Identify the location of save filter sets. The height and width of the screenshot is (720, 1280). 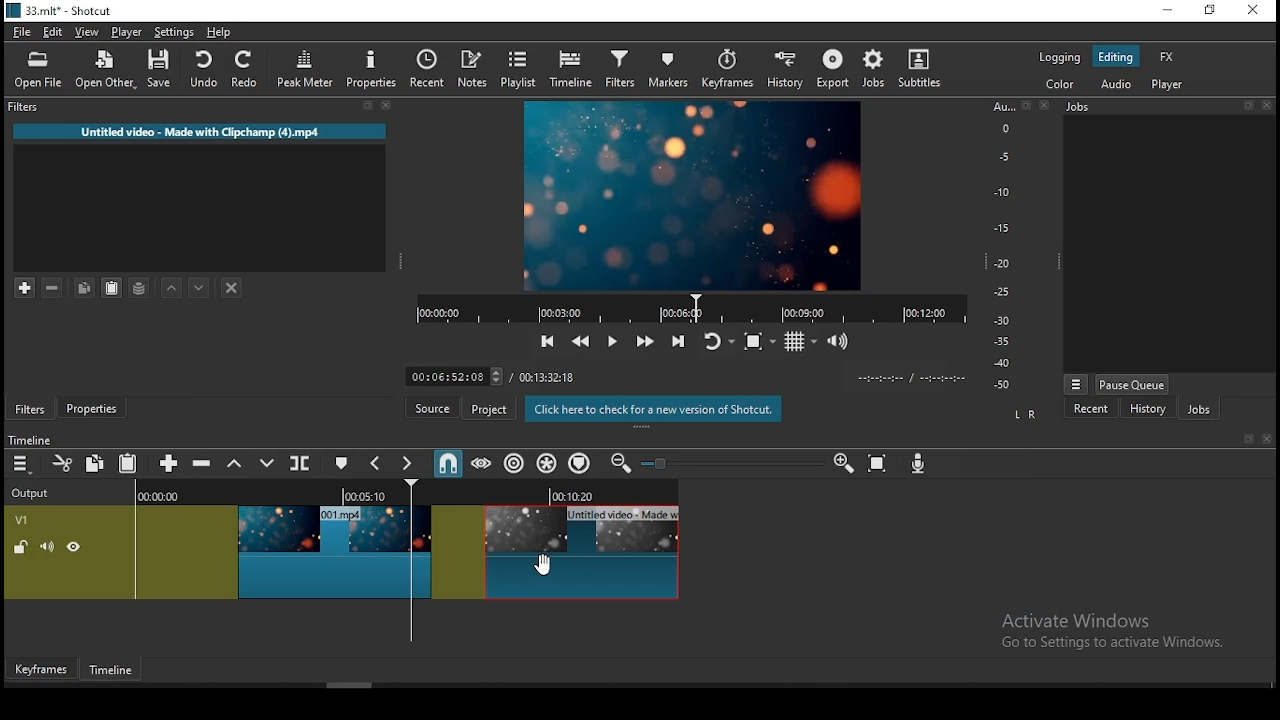
(142, 287).